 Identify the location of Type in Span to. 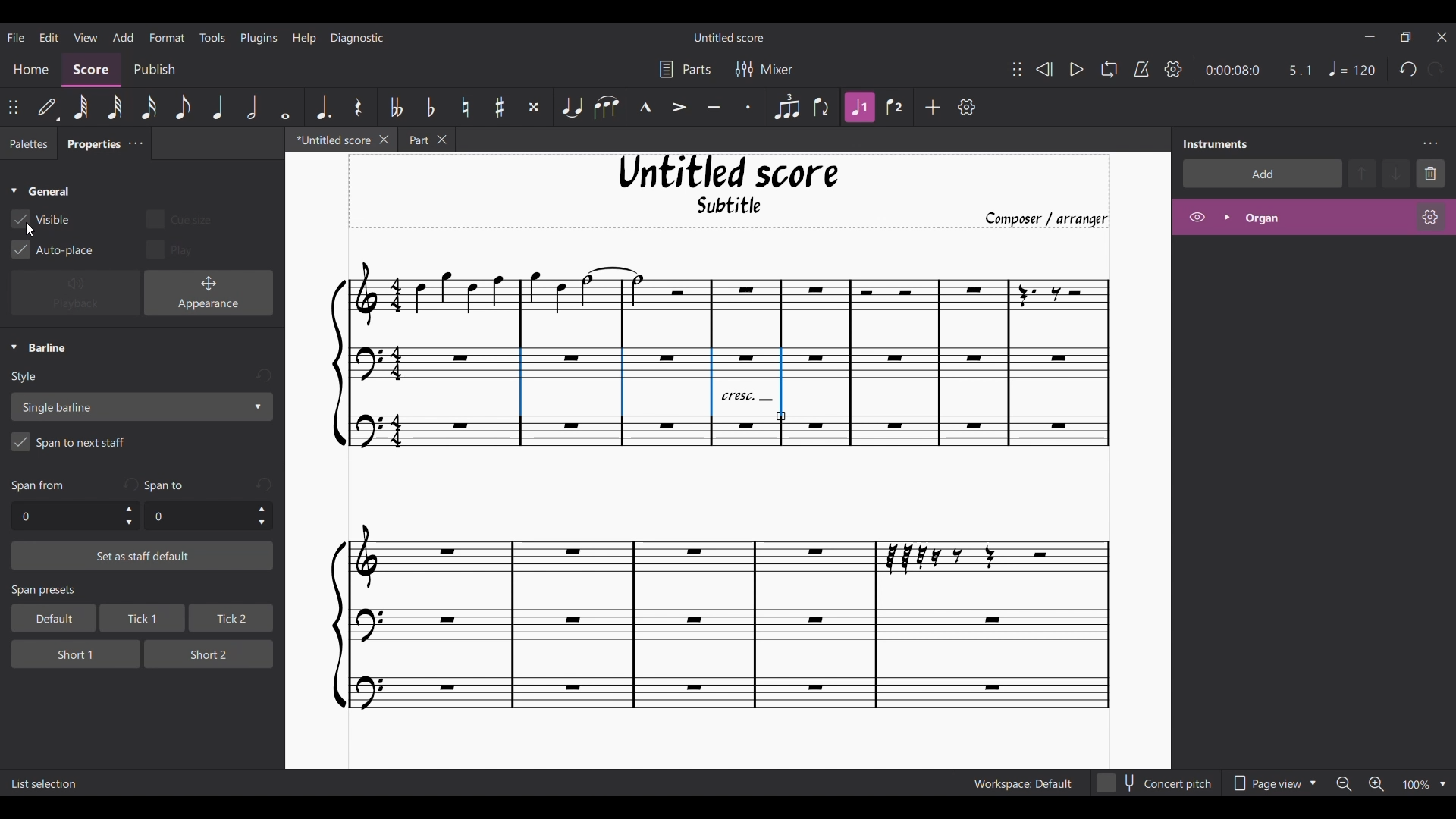
(197, 516).